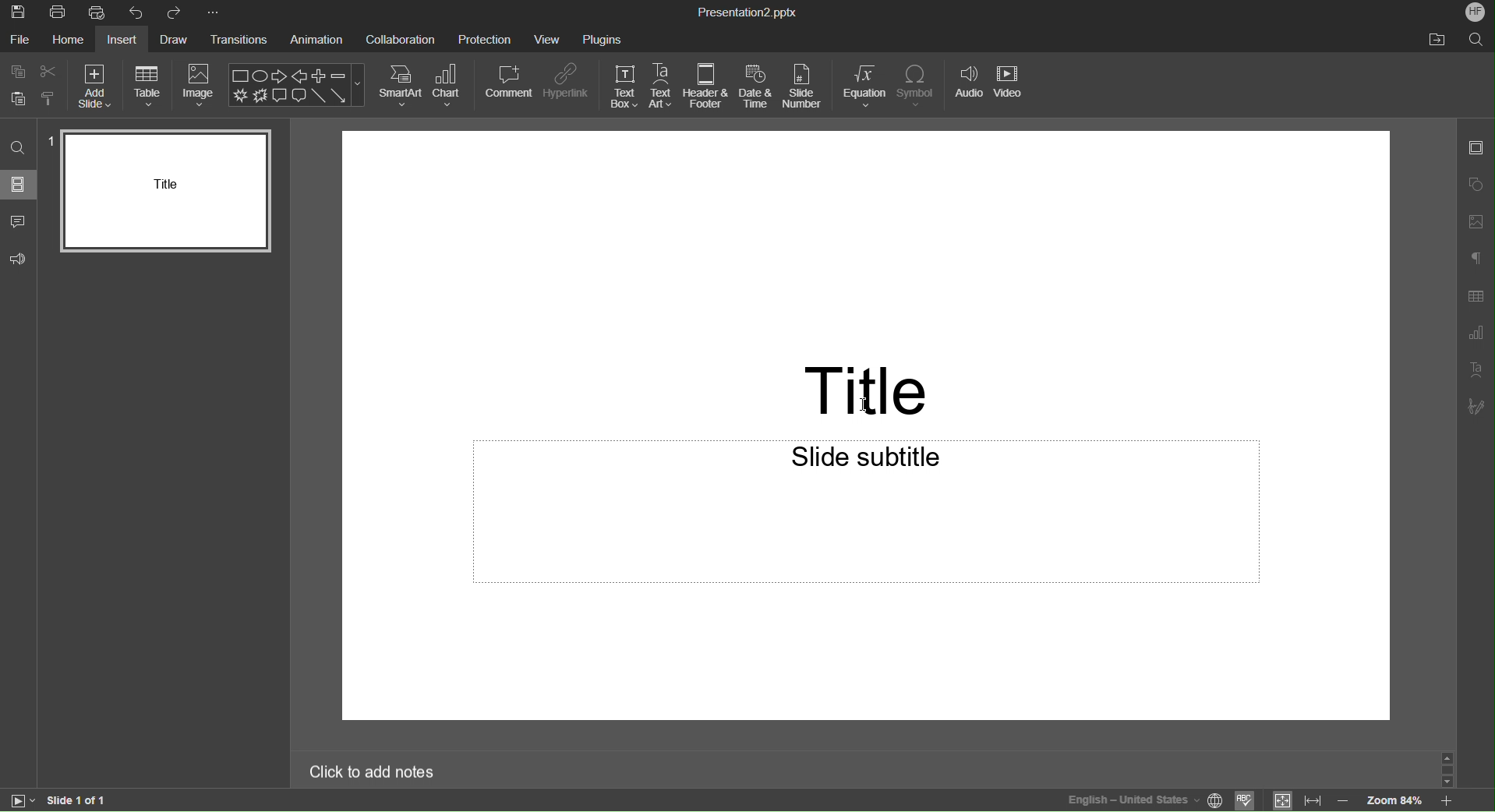  Describe the element at coordinates (1477, 185) in the screenshot. I see `Shape Settings` at that location.